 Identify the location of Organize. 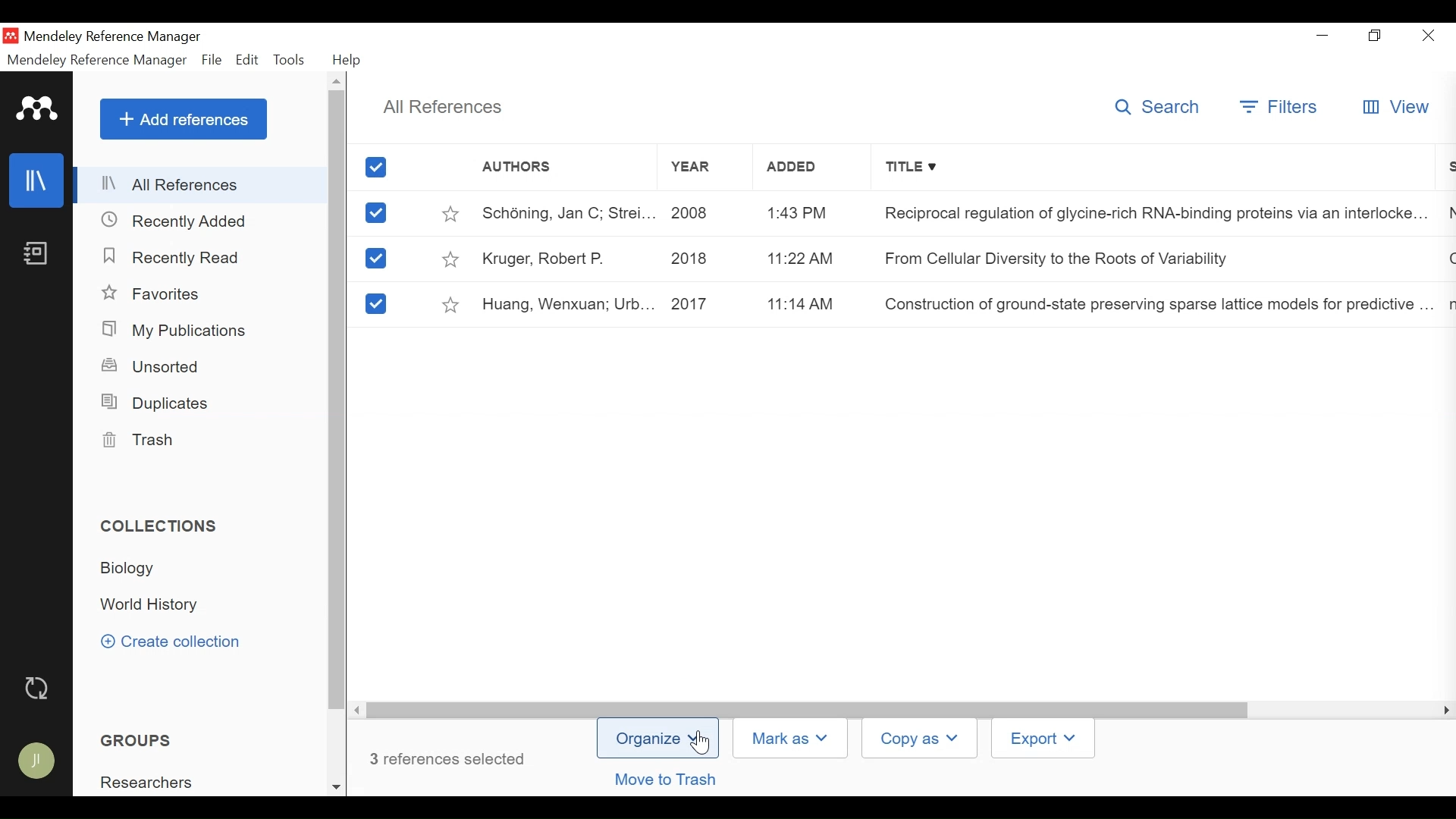
(657, 739).